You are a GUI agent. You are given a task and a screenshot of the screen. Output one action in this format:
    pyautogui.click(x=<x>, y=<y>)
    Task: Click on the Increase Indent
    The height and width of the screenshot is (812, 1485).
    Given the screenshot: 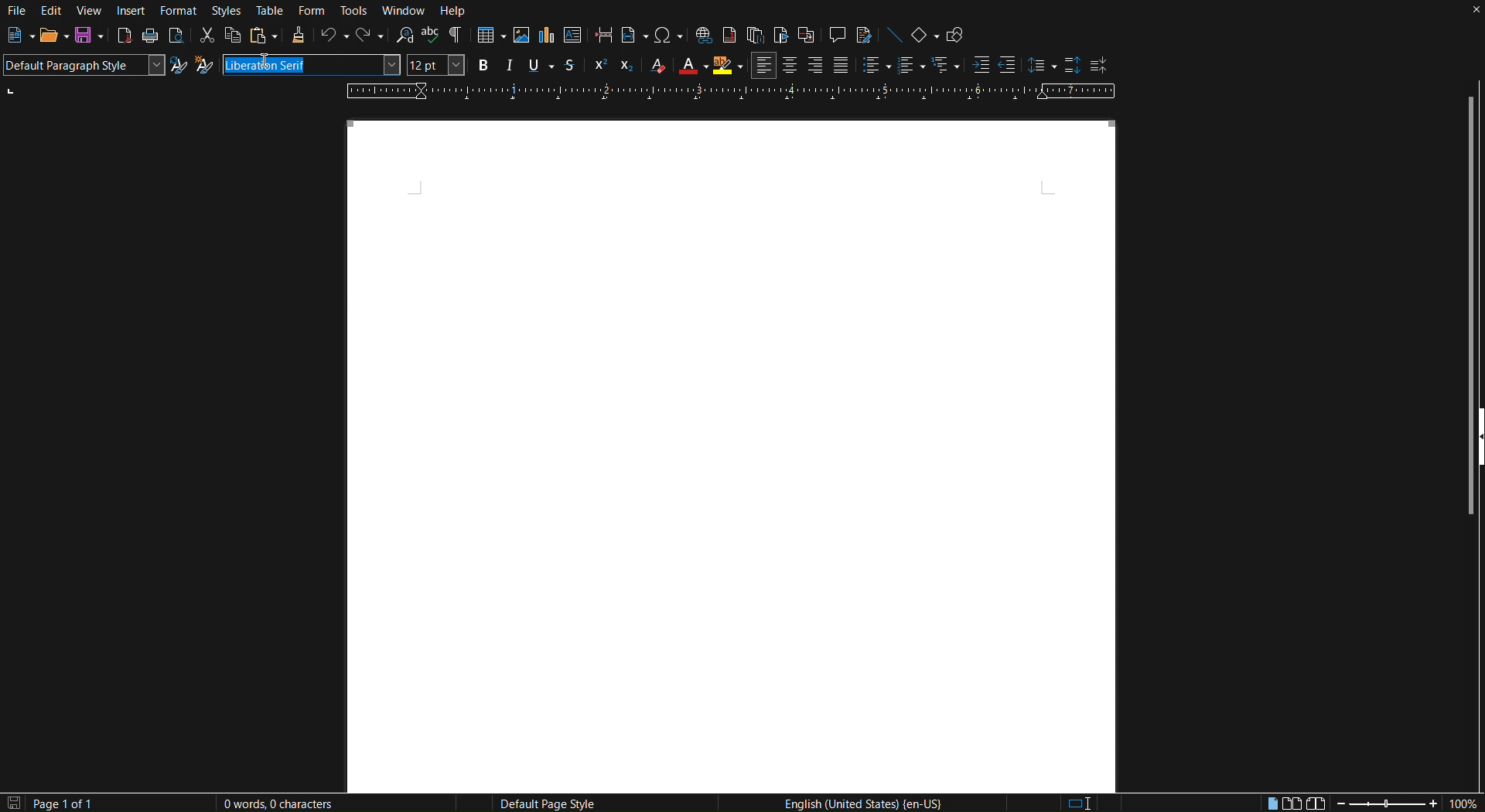 What is the action you would take?
    pyautogui.click(x=980, y=67)
    